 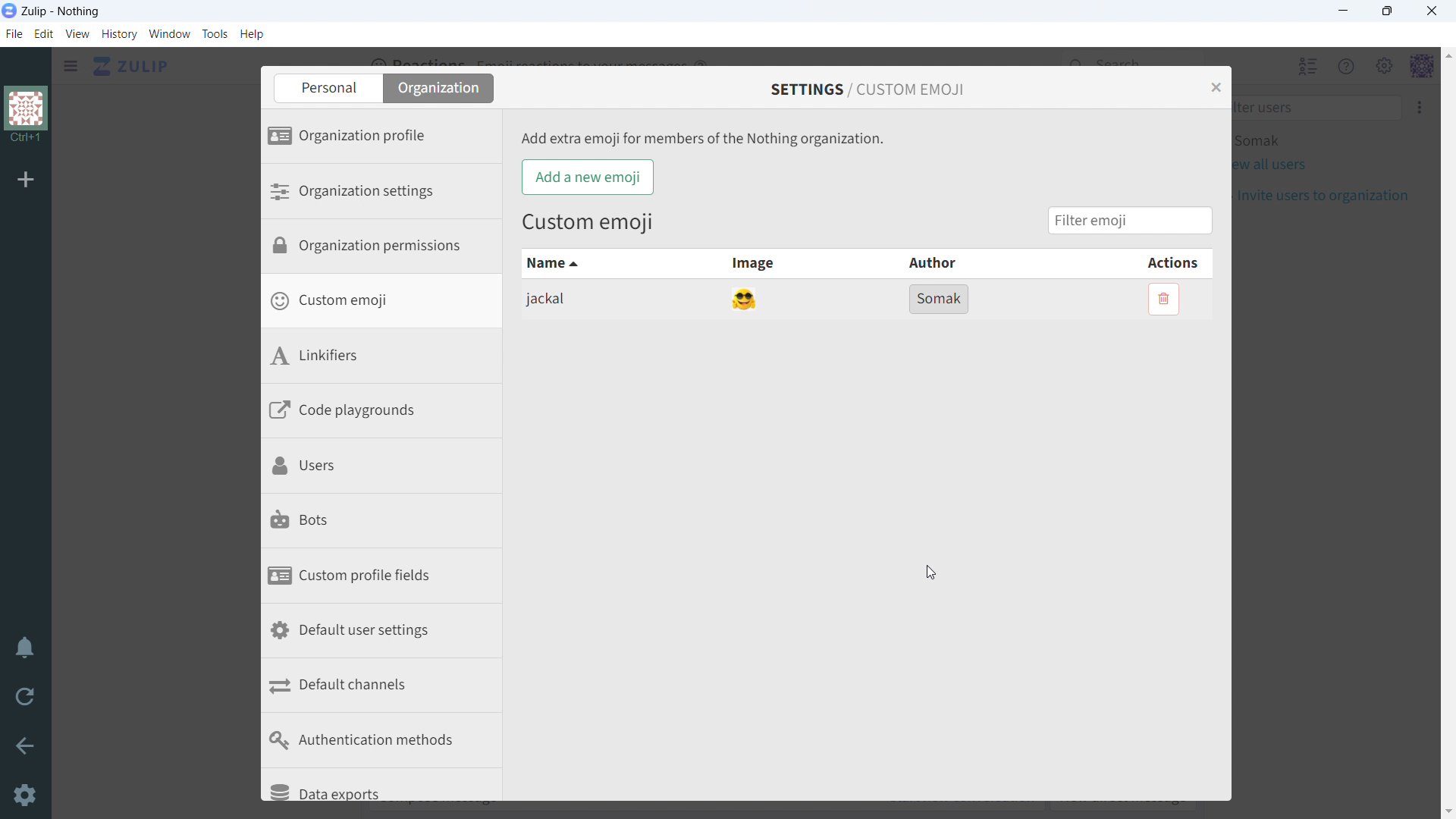 What do you see at coordinates (604, 300) in the screenshot?
I see `jackal` at bounding box center [604, 300].